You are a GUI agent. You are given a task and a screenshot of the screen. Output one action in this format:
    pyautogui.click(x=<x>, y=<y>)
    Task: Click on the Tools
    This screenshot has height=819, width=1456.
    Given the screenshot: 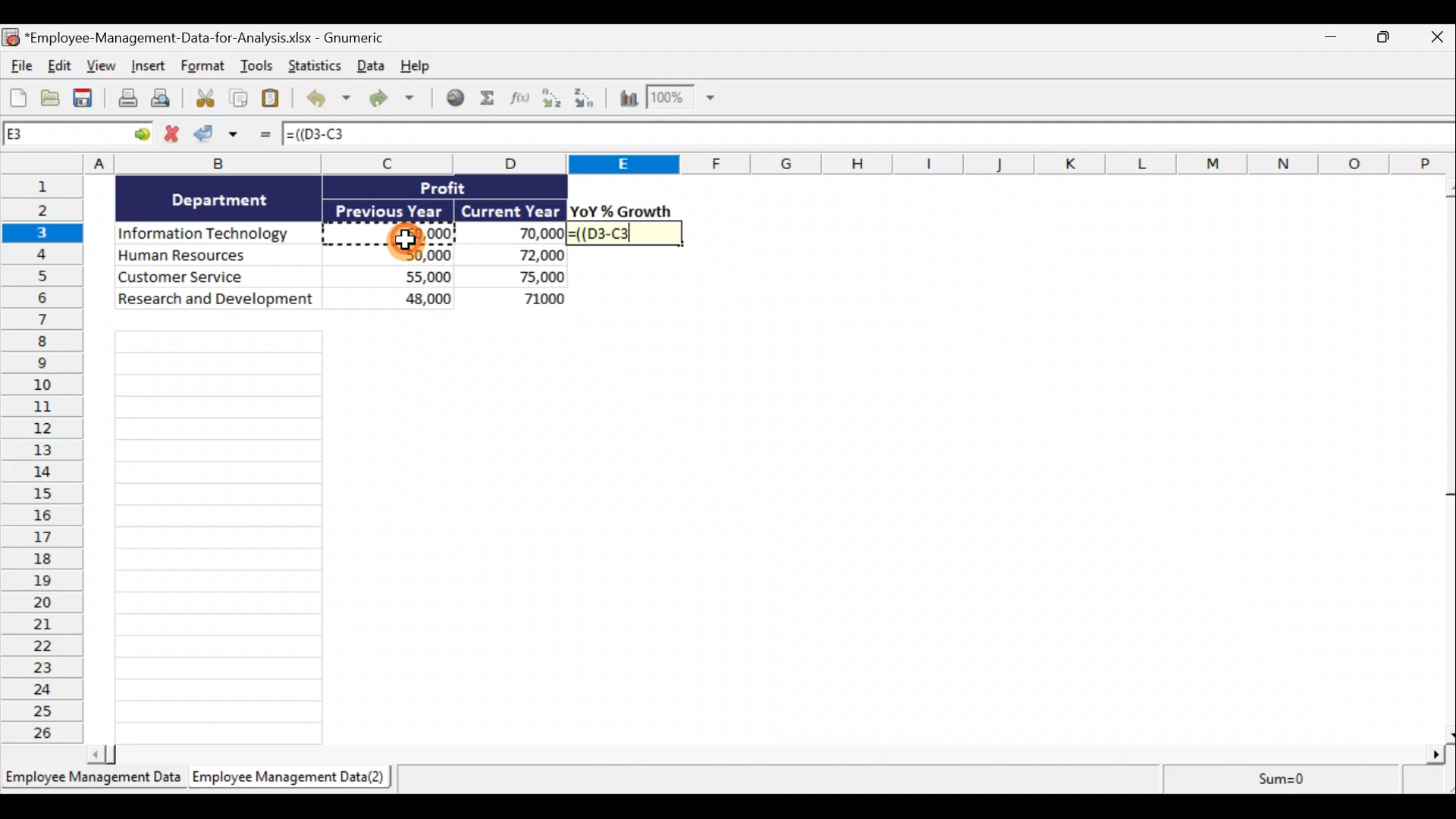 What is the action you would take?
    pyautogui.click(x=259, y=68)
    